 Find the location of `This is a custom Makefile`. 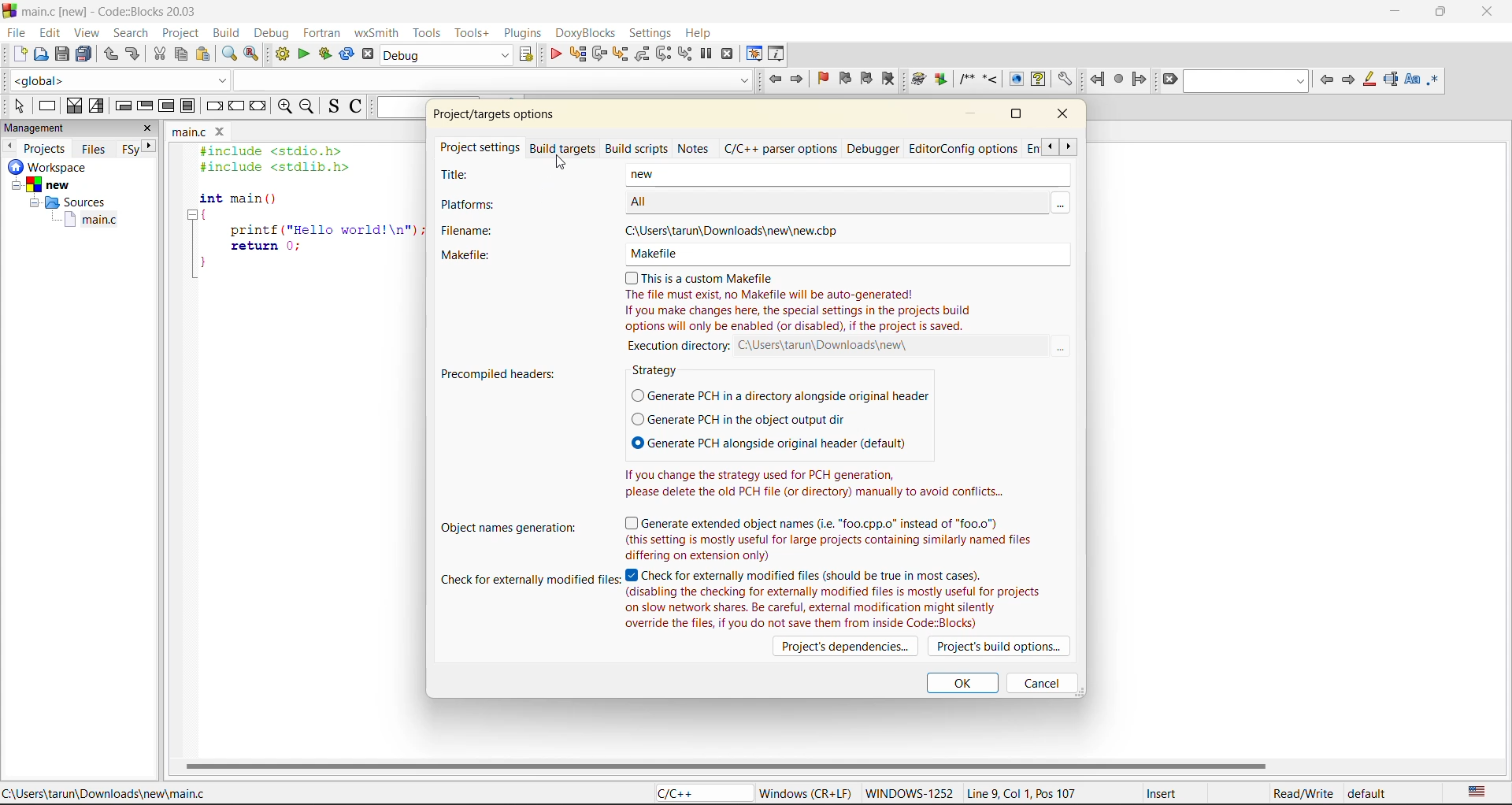

This is a custom Makefile is located at coordinates (709, 276).